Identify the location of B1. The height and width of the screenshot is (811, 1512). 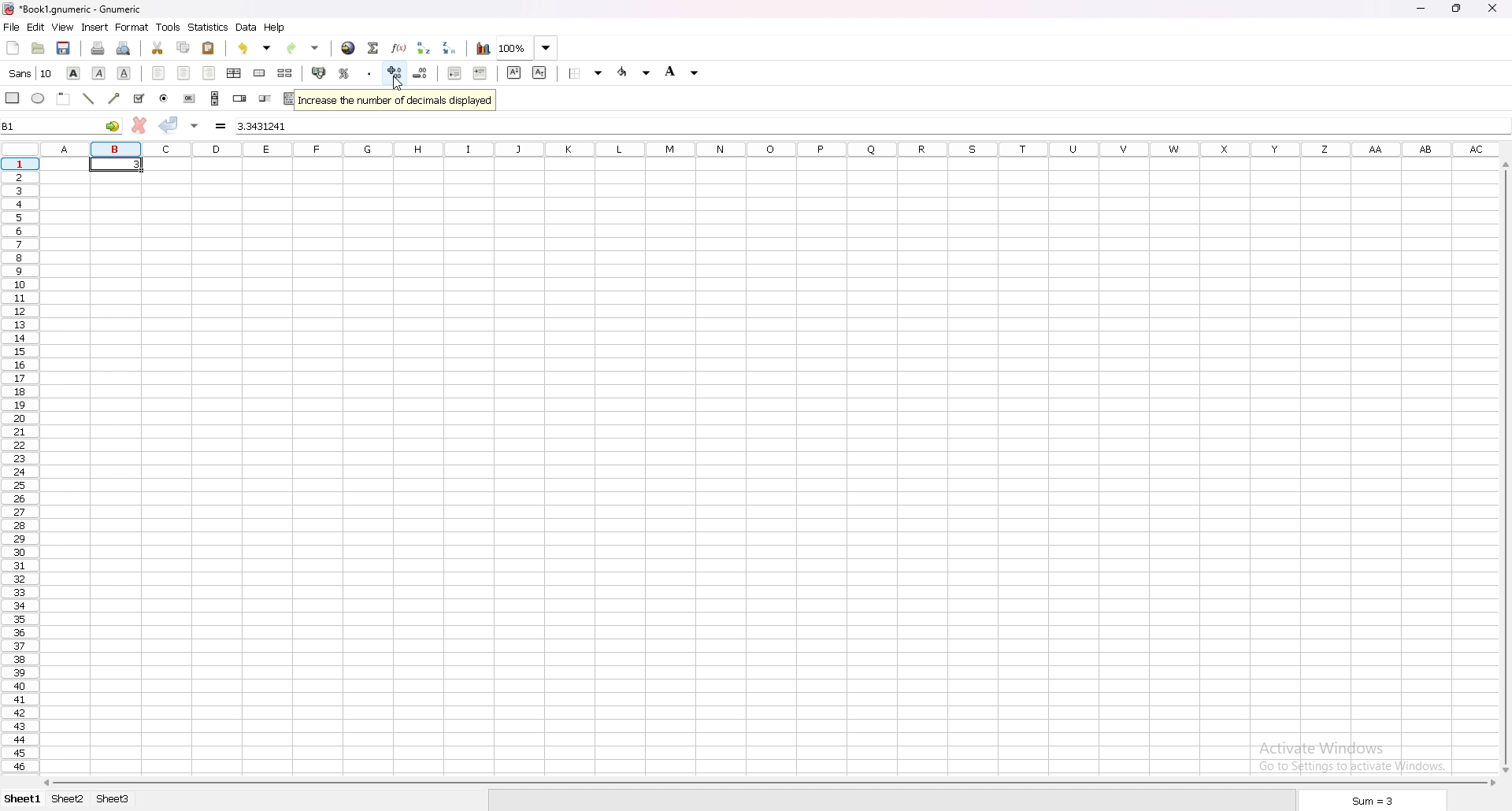
(62, 127).